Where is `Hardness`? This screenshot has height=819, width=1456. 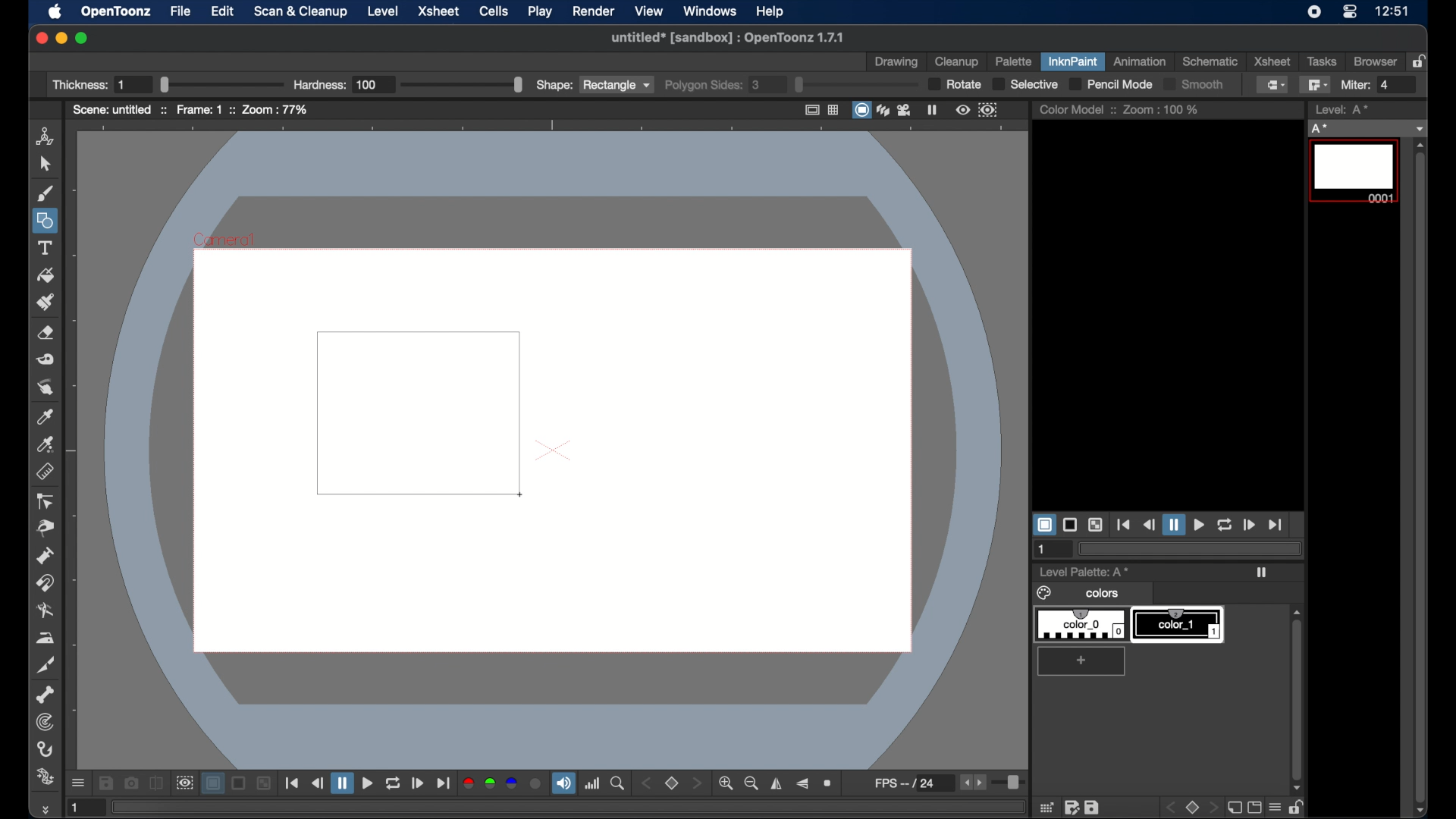
Hardness is located at coordinates (407, 84).